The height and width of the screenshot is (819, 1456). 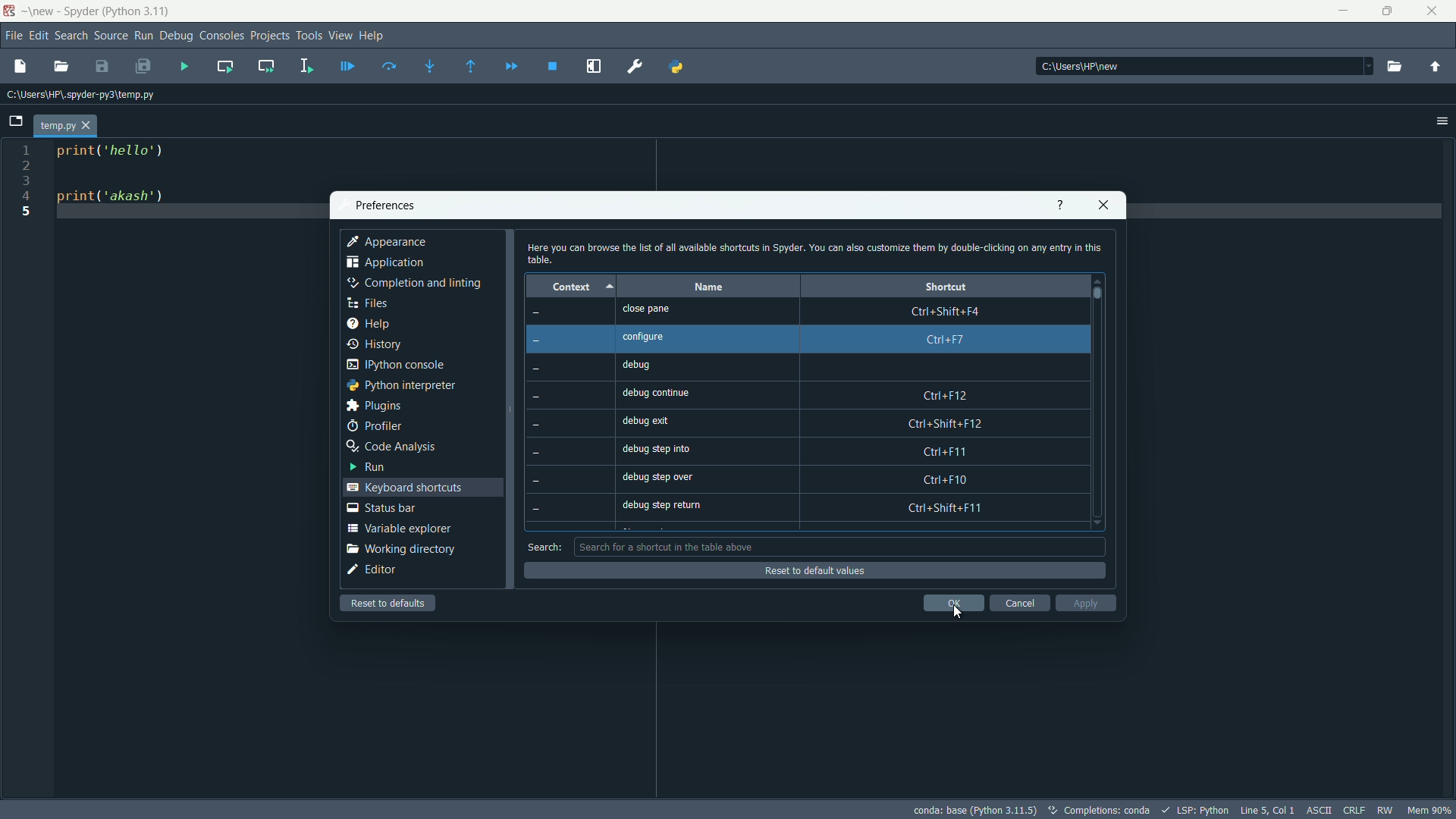 What do you see at coordinates (1430, 810) in the screenshot?
I see `memory usage` at bounding box center [1430, 810].